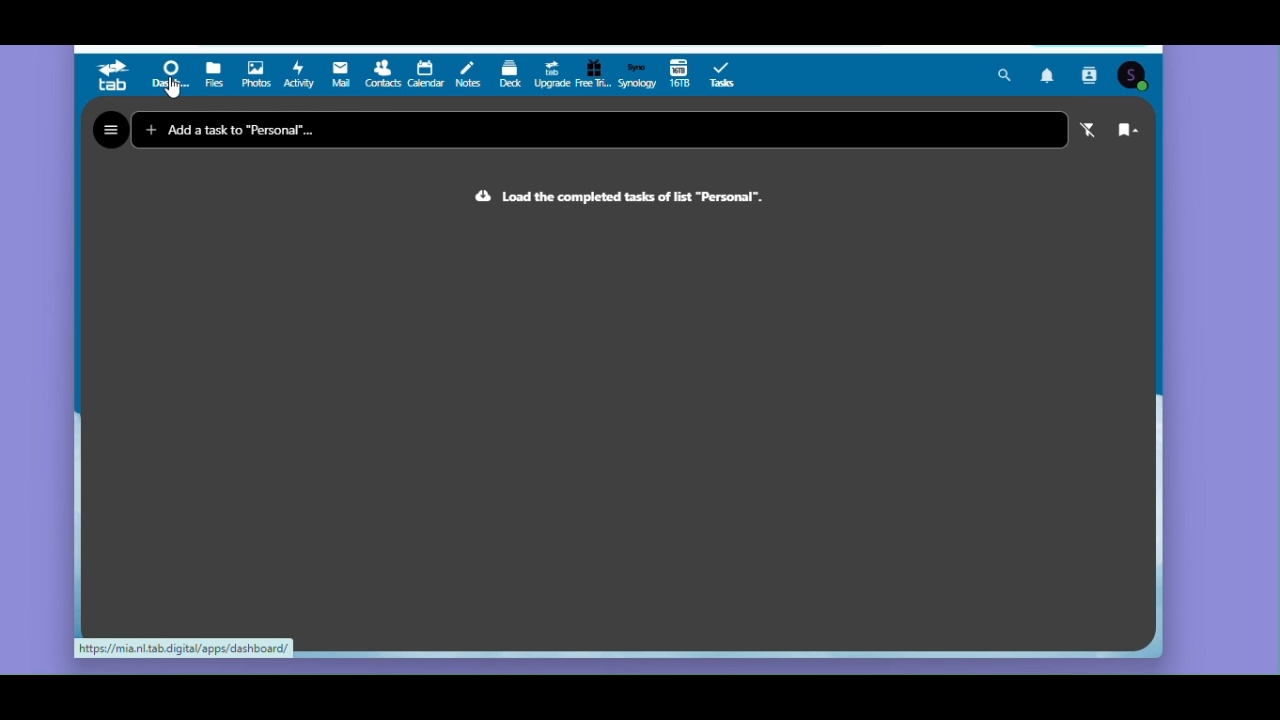  What do you see at coordinates (173, 90) in the screenshot?
I see `Cursor` at bounding box center [173, 90].